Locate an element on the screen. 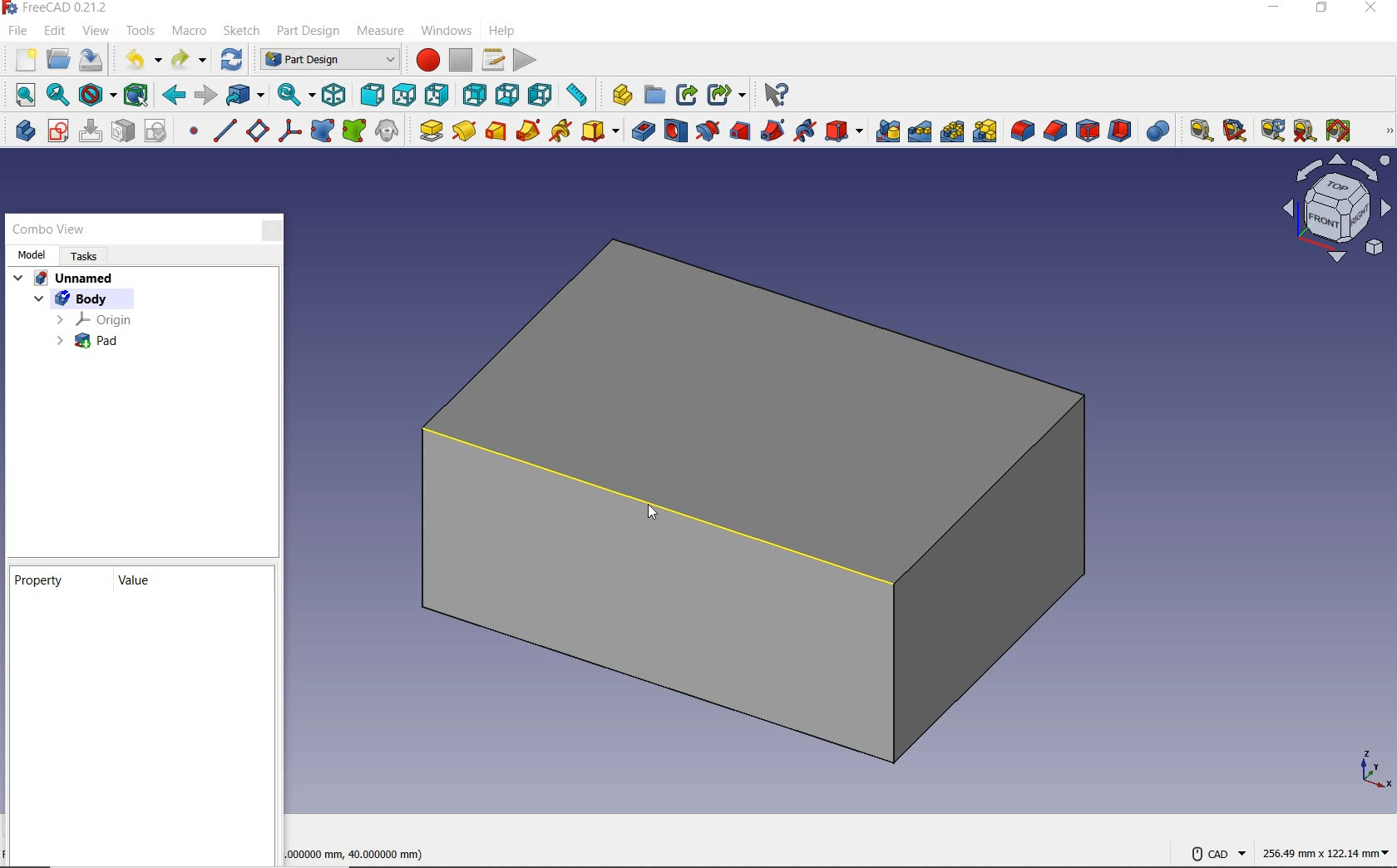 The image size is (1397, 868). validate sketch is located at coordinates (155, 131).